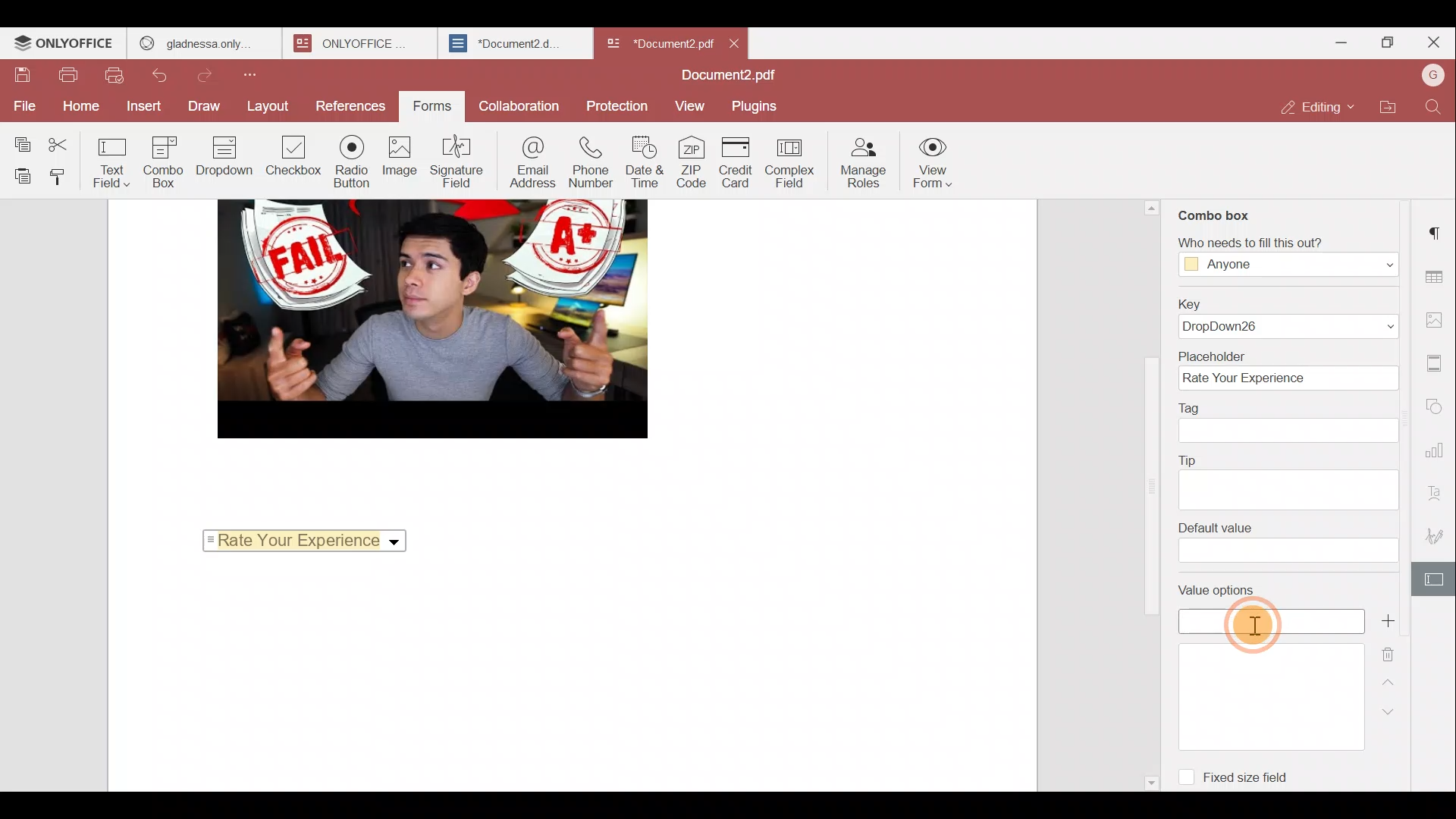  I want to click on Radio, so click(352, 162).